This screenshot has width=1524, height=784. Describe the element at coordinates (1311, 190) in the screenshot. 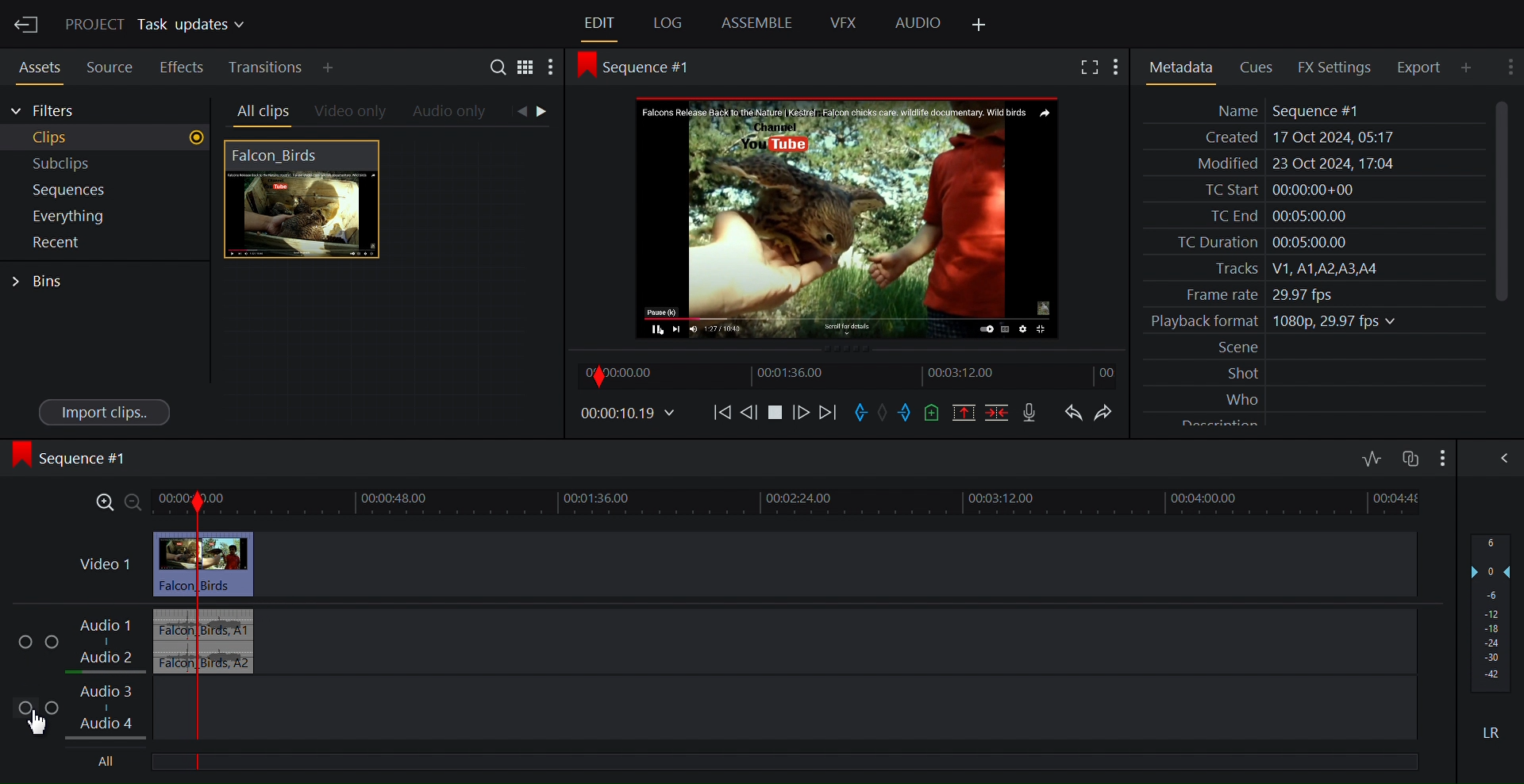

I see `TC Start` at that location.